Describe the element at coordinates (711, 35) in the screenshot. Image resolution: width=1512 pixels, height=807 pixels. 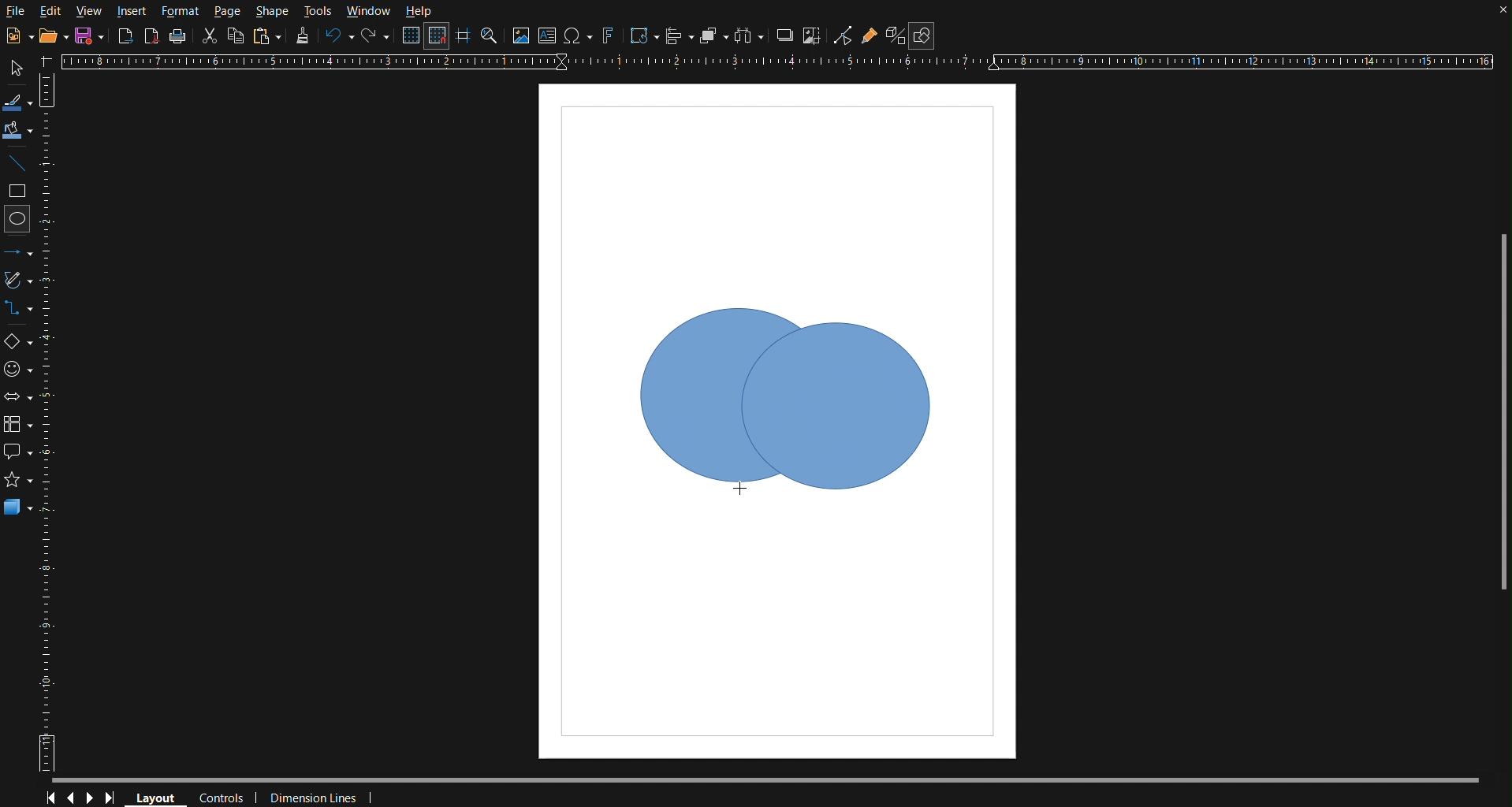
I see `Arrange` at that location.